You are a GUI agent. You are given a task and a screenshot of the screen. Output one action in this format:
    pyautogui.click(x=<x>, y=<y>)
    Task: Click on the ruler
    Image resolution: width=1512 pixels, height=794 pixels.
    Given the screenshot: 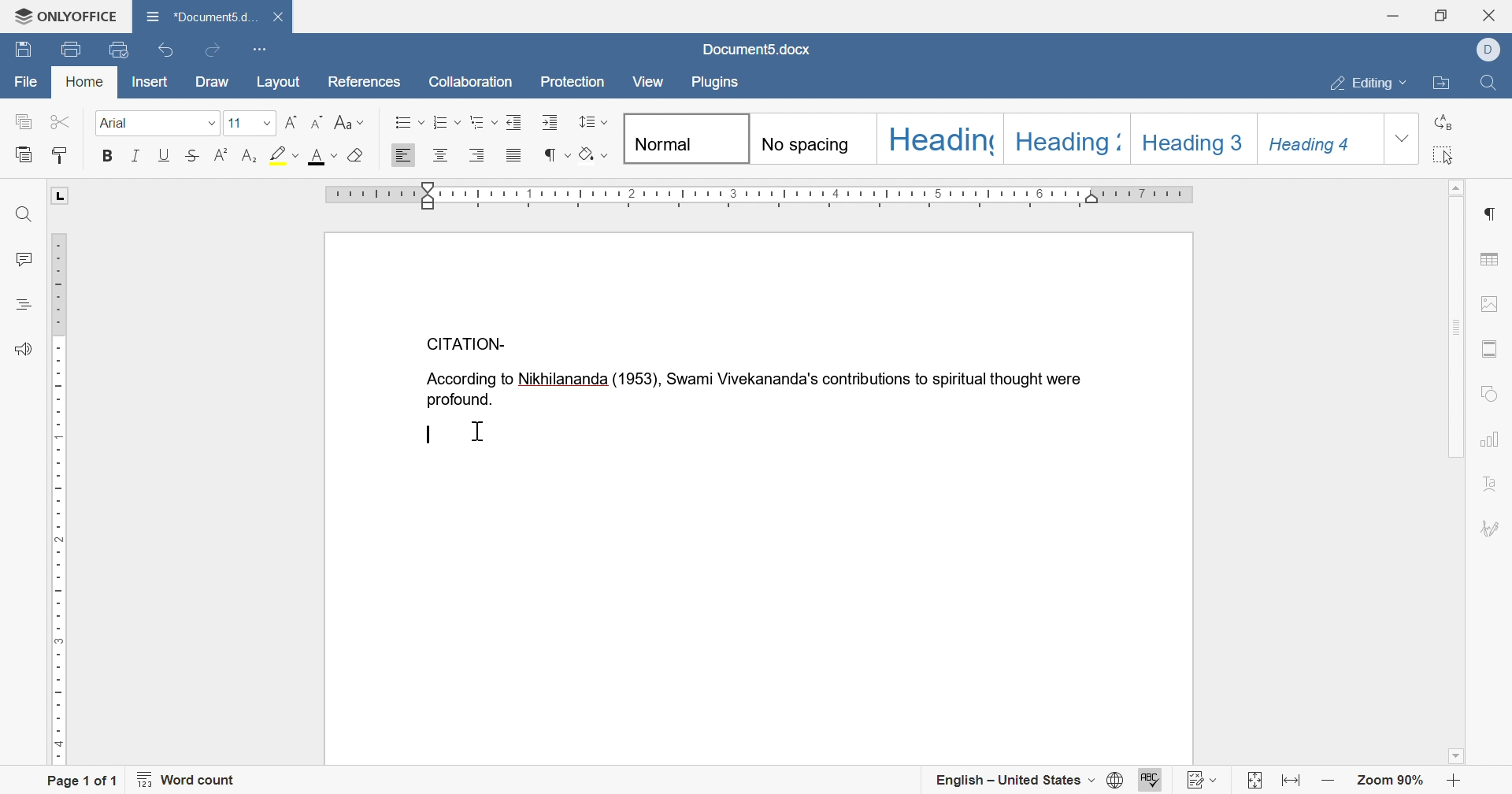 What is the action you would take?
    pyautogui.click(x=759, y=197)
    